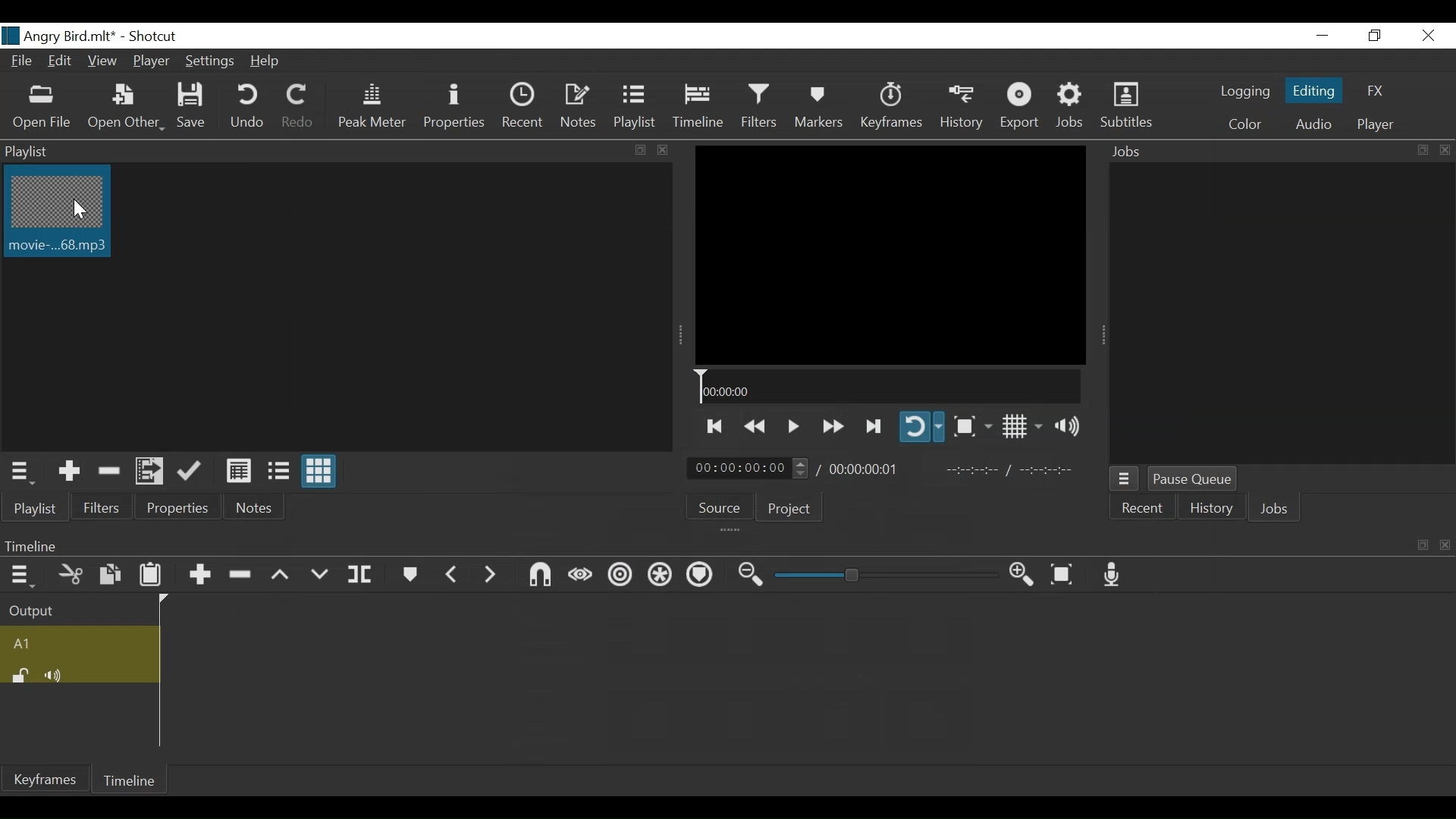 This screenshot has width=1456, height=819. What do you see at coordinates (46, 779) in the screenshot?
I see `Keyframes` at bounding box center [46, 779].